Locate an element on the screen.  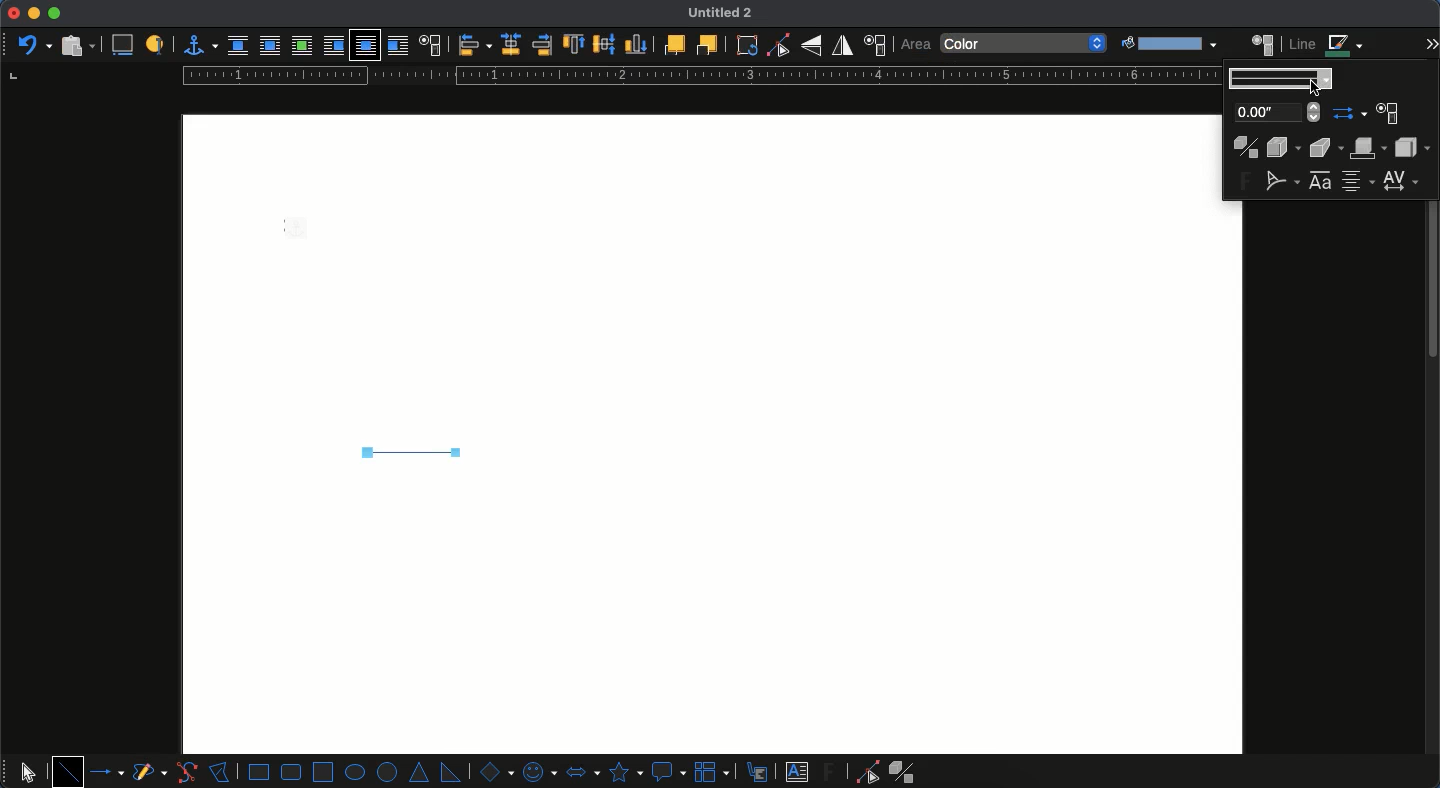
text box is located at coordinates (797, 772).